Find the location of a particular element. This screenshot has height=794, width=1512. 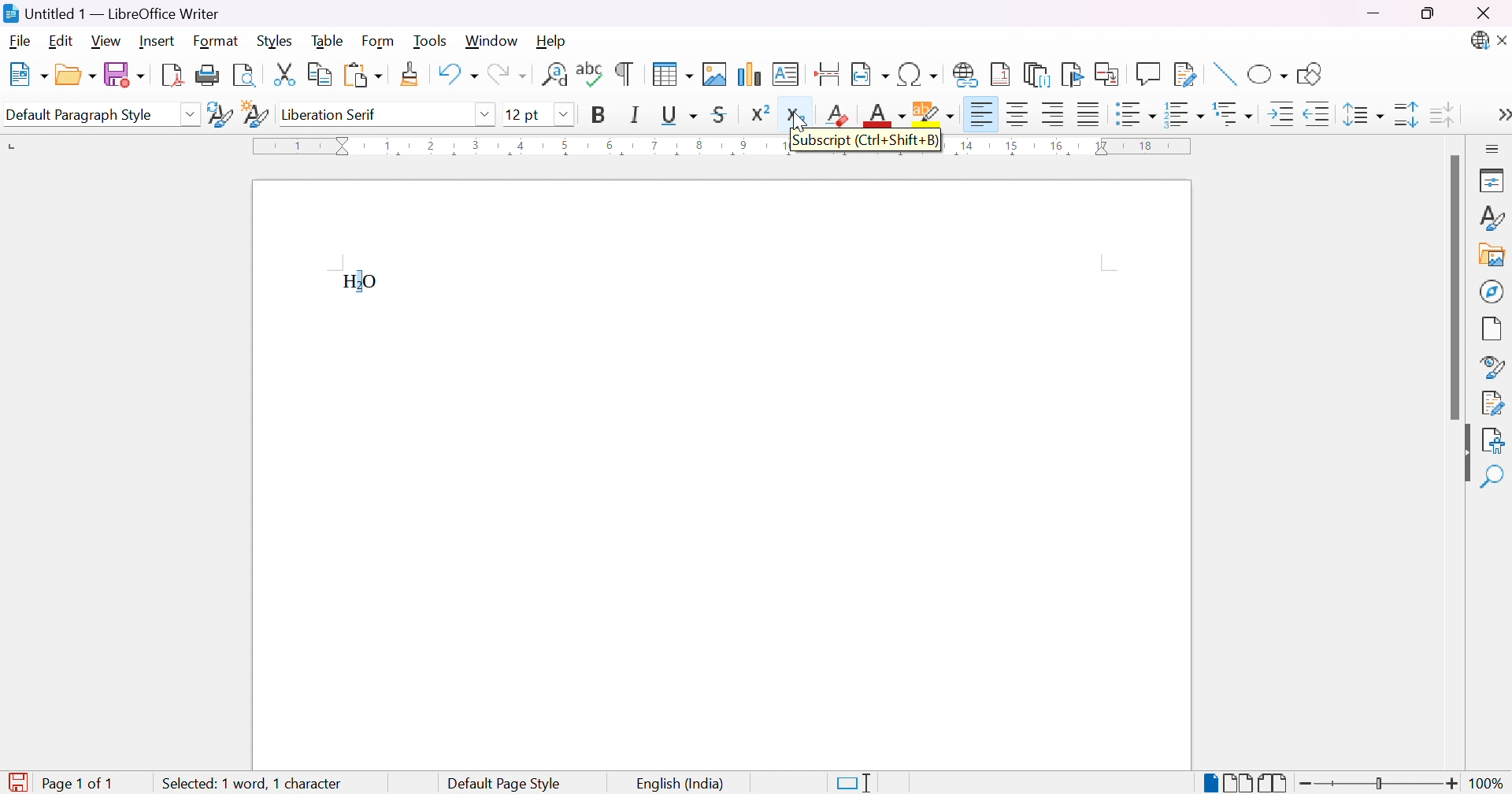

Default paragraph style is located at coordinates (80, 116).